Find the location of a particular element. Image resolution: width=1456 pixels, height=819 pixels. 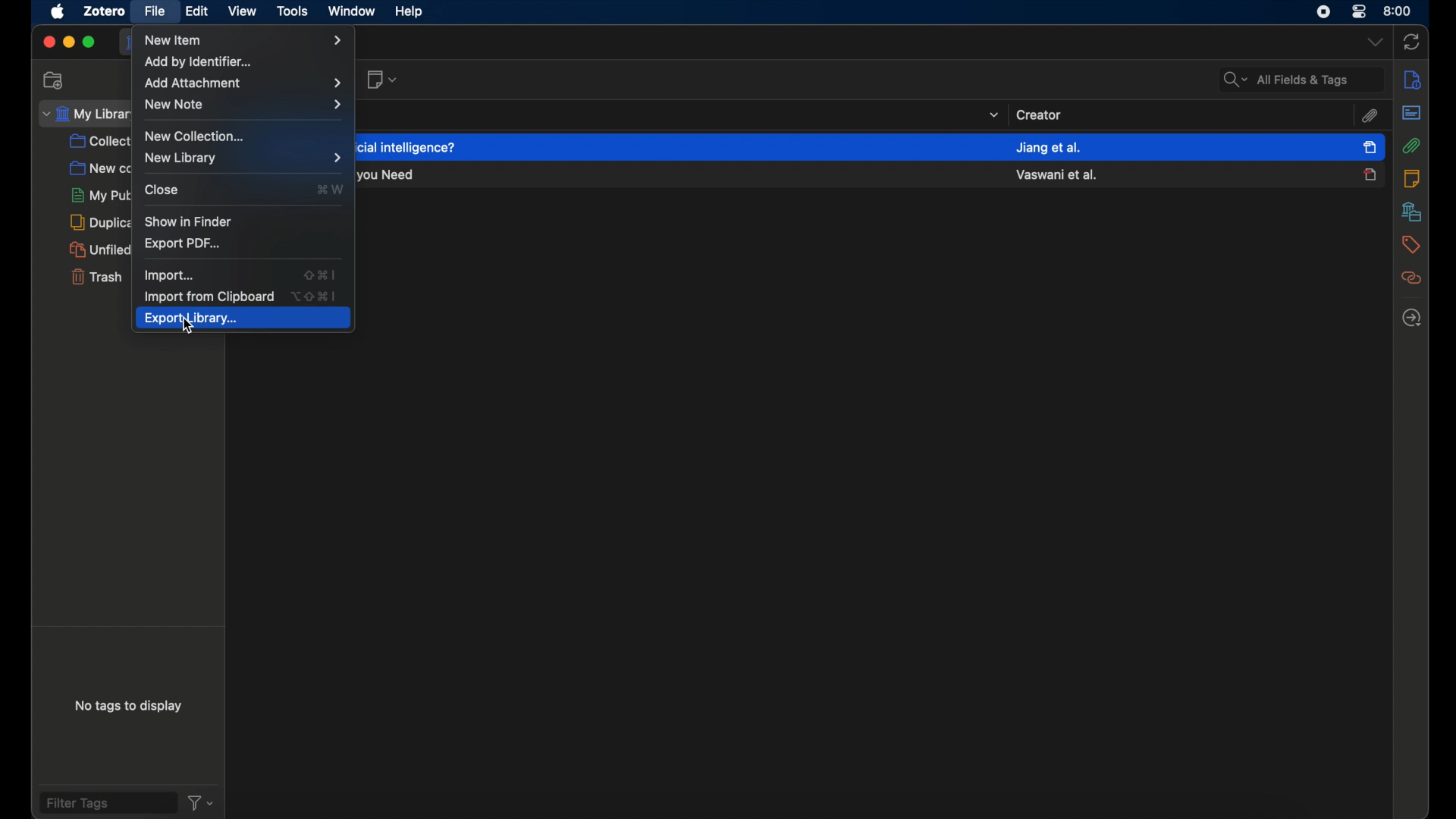

show in finder is located at coordinates (186, 220).